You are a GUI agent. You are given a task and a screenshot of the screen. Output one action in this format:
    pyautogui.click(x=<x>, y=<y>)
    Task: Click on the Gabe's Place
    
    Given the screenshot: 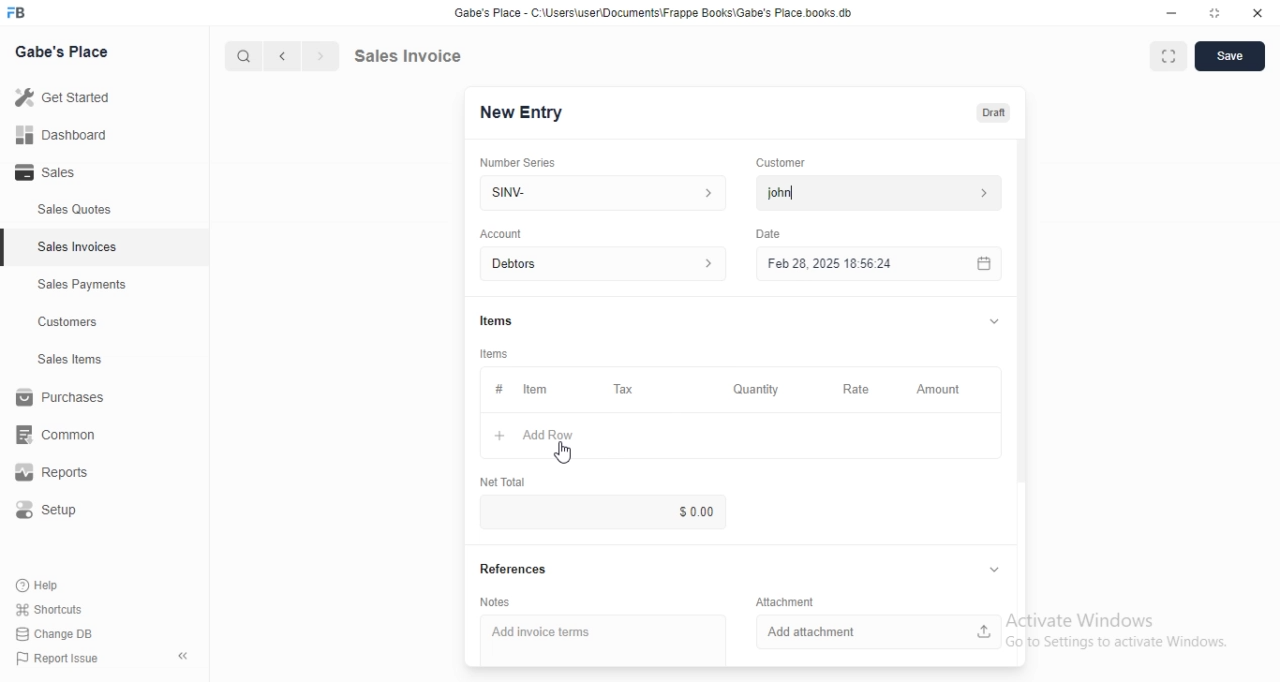 What is the action you would take?
    pyautogui.click(x=66, y=50)
    